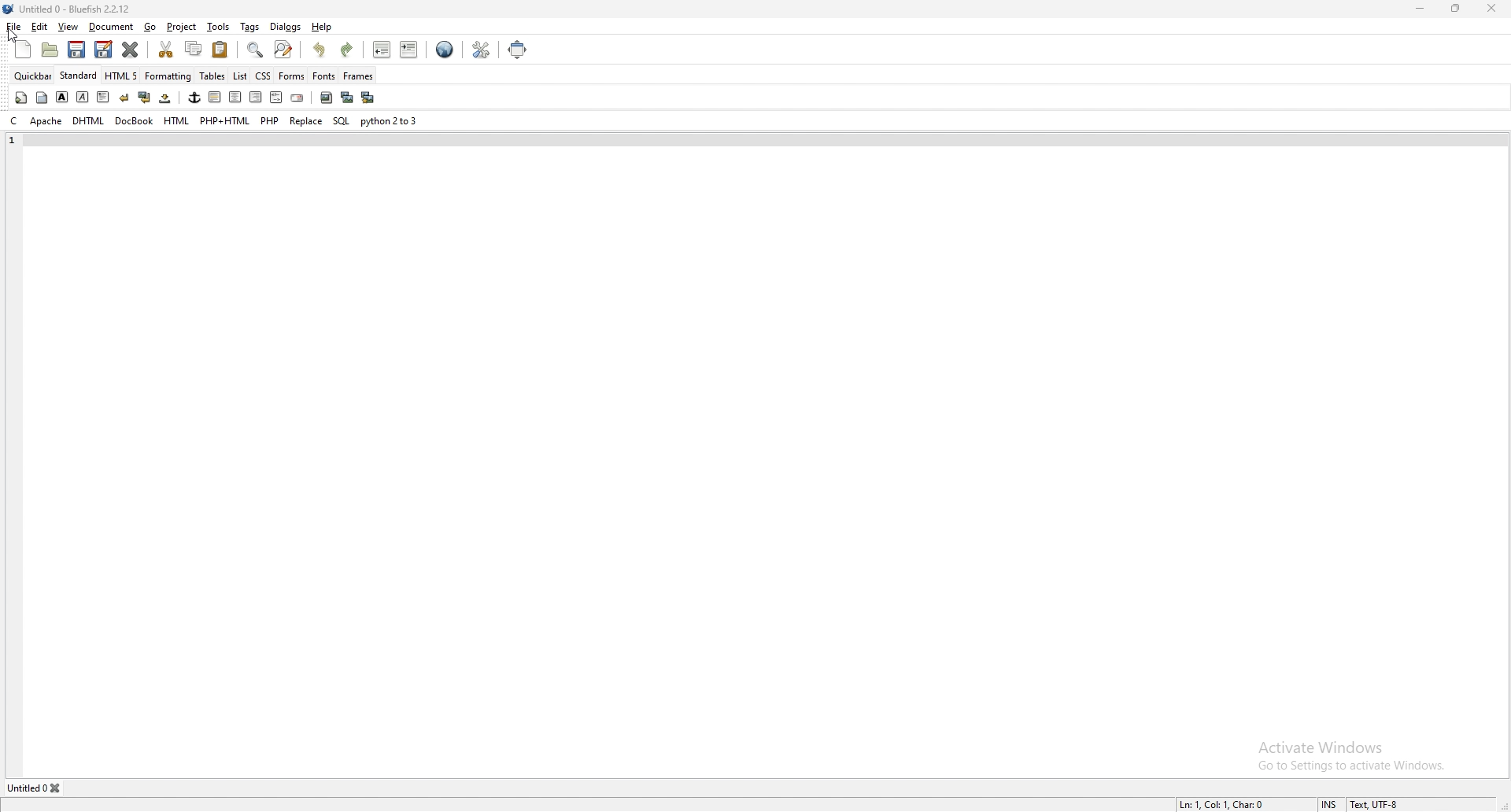 This screenshot has height=812, width=1511. I want to click on file, so click(14, 26).